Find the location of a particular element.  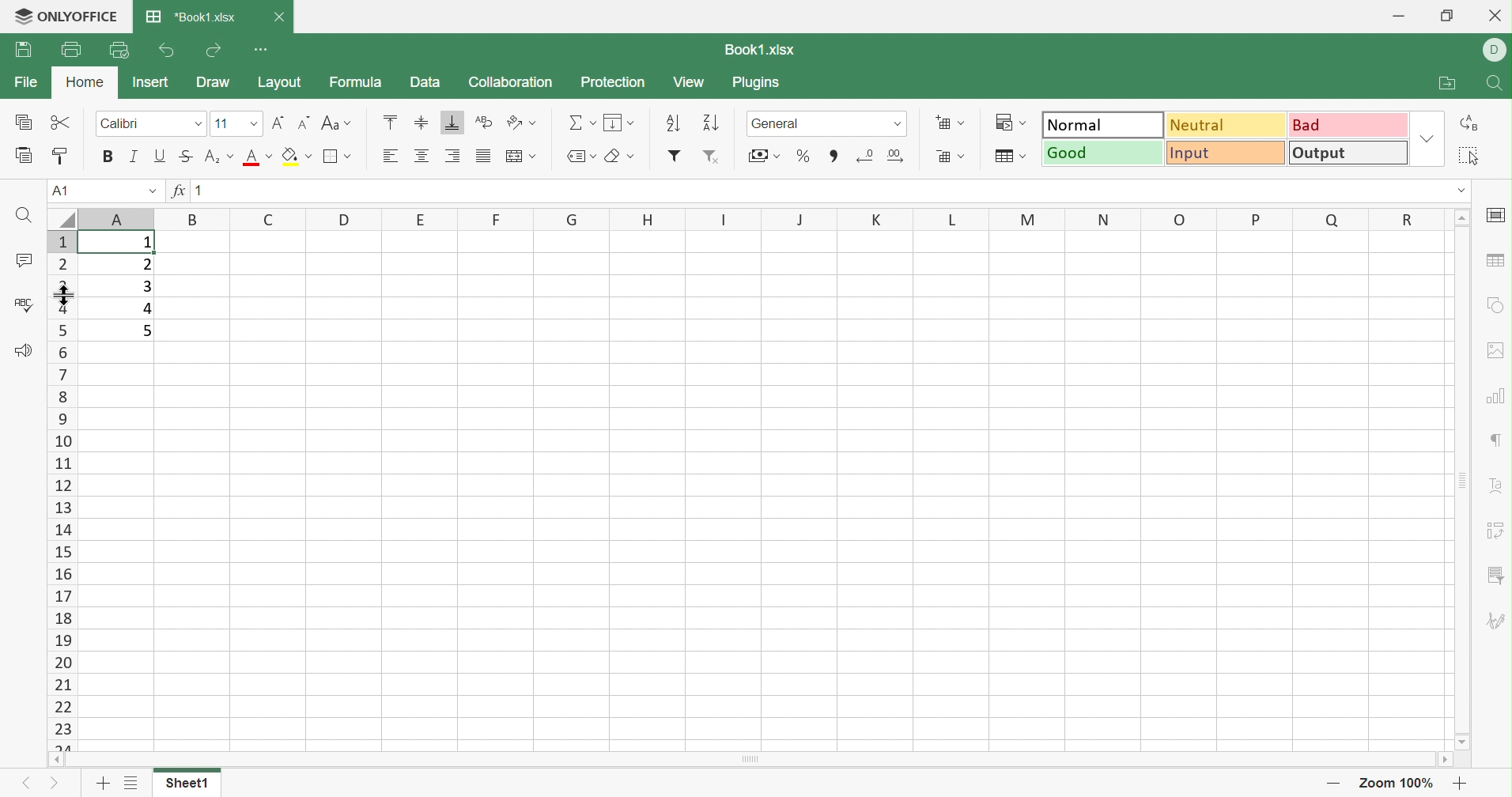

1 is located at coordinates (146, 242).